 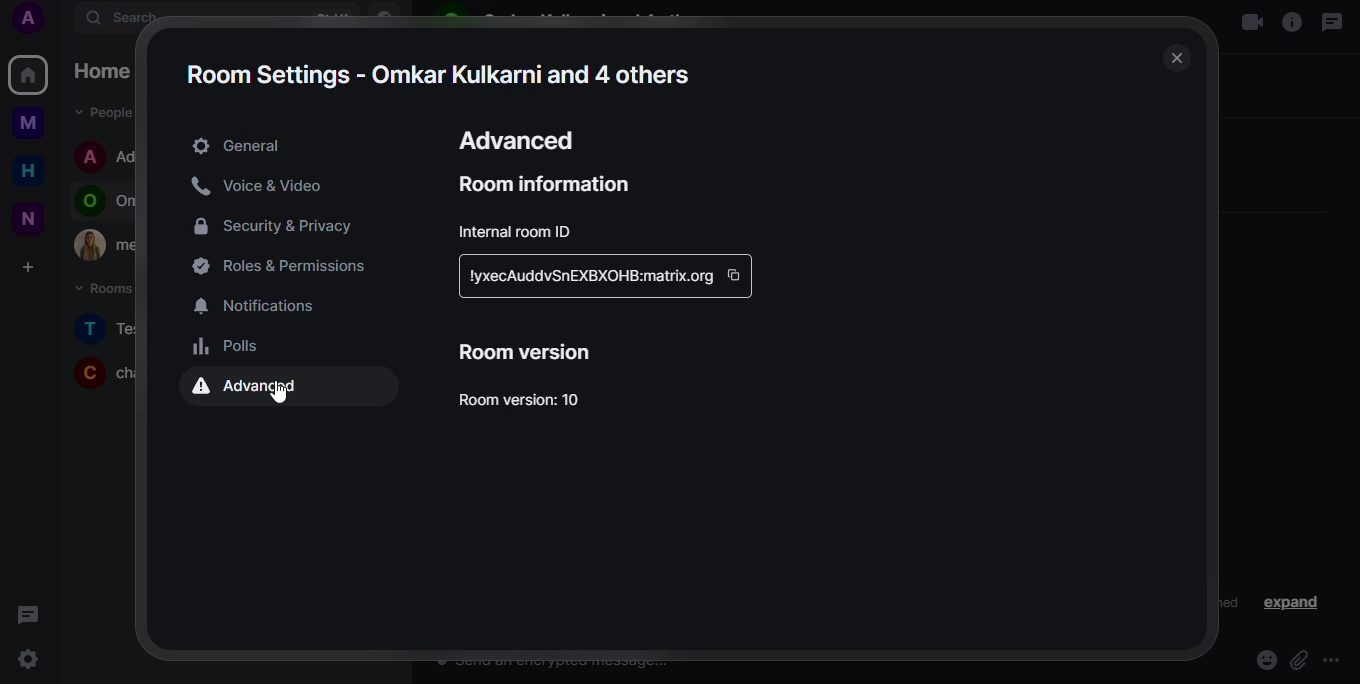 What do you see at coordinates (254, 389) in the screenshot?
I see `advanced` at bounding box center [254, 389].